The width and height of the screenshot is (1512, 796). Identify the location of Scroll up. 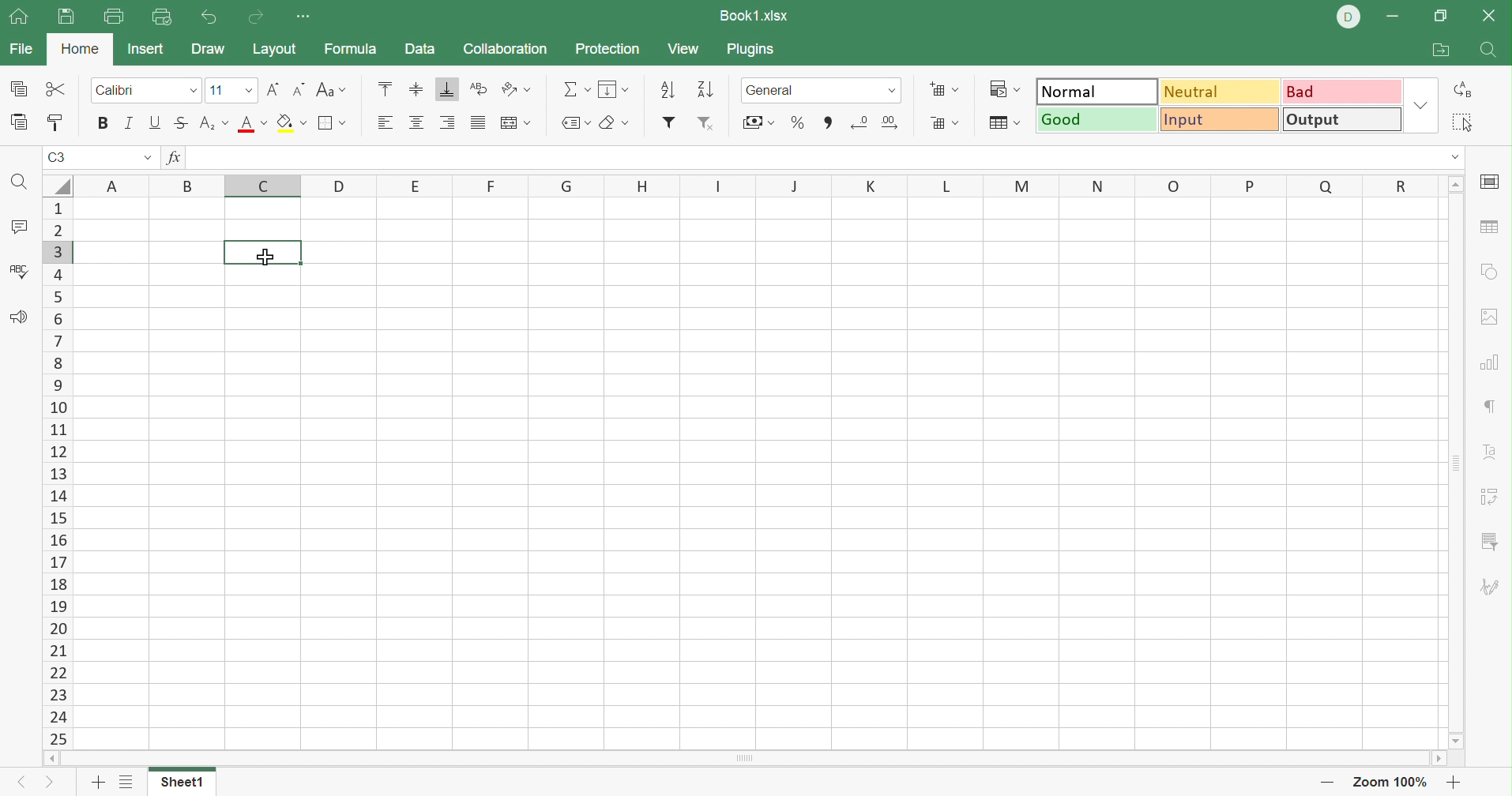
(1454, 183).